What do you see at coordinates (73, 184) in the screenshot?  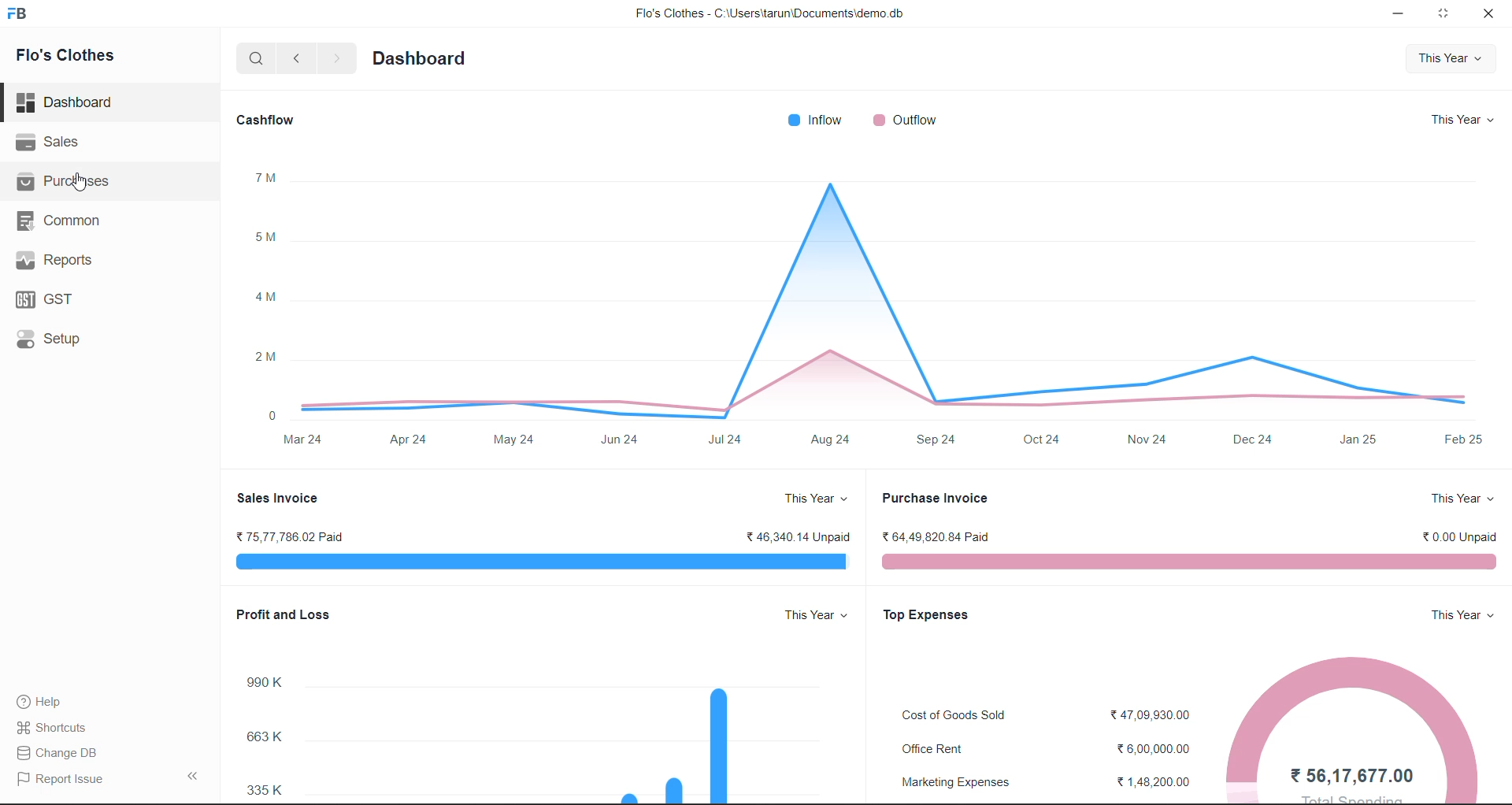 I see `Purchases` at bounding box center [73, 184].